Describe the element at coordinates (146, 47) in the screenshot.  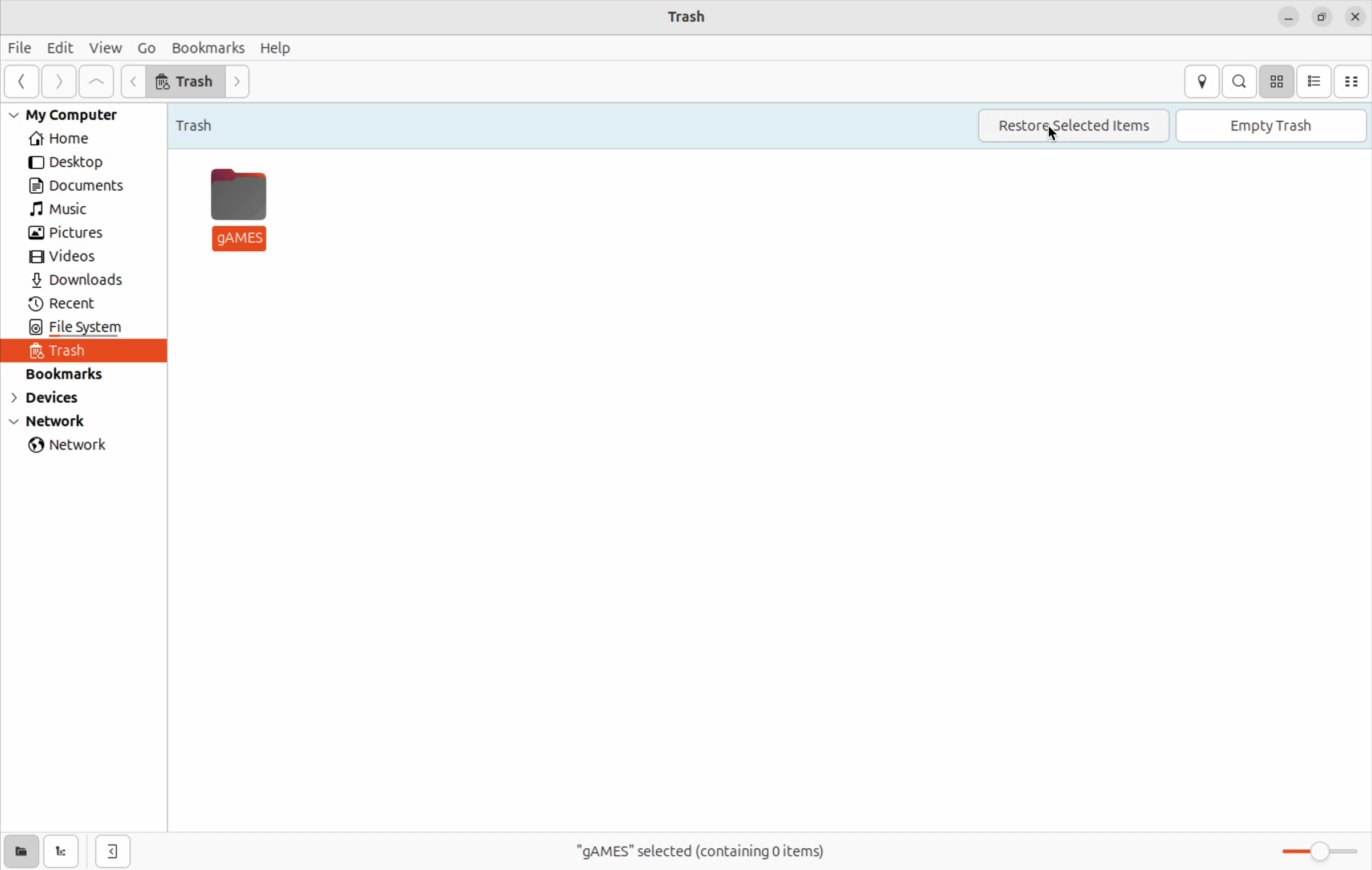
I see `Go` at that location.